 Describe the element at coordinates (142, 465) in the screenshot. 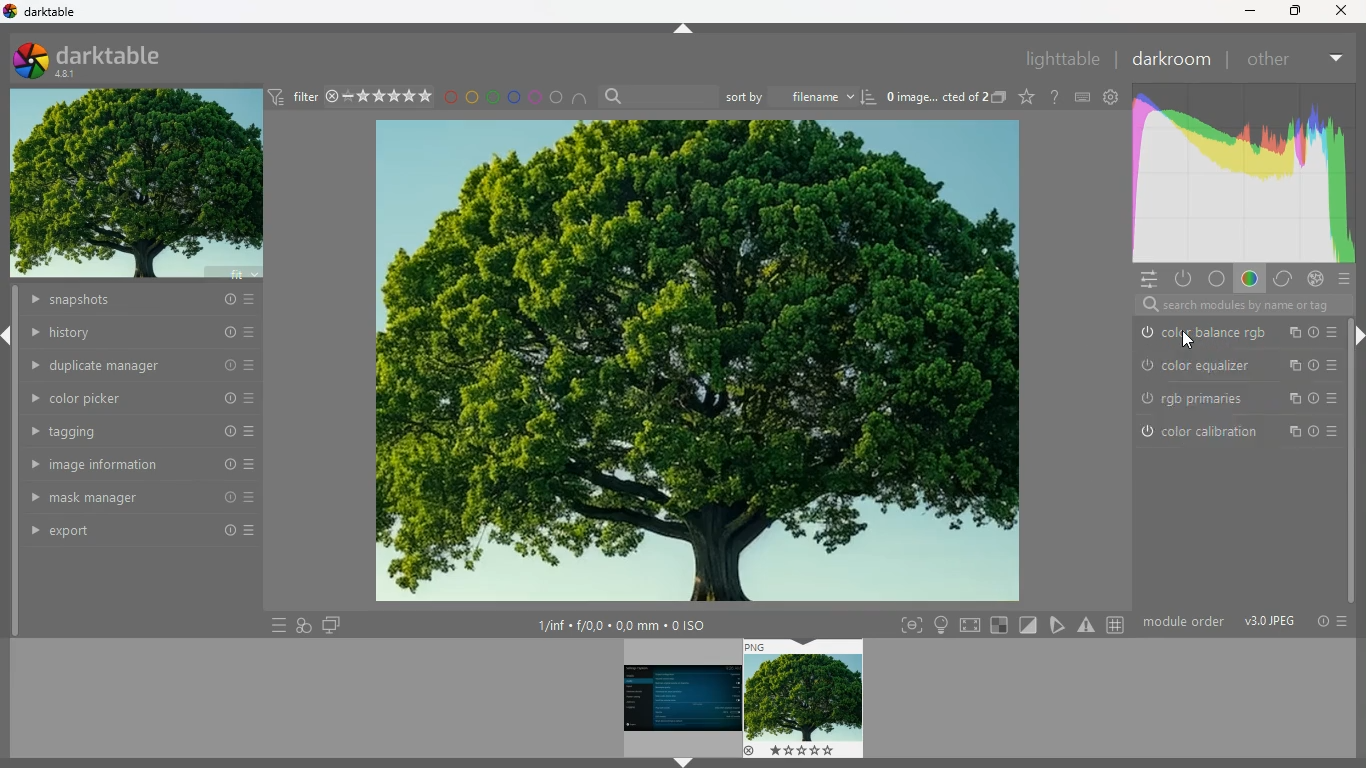

I see `image information` at that location.